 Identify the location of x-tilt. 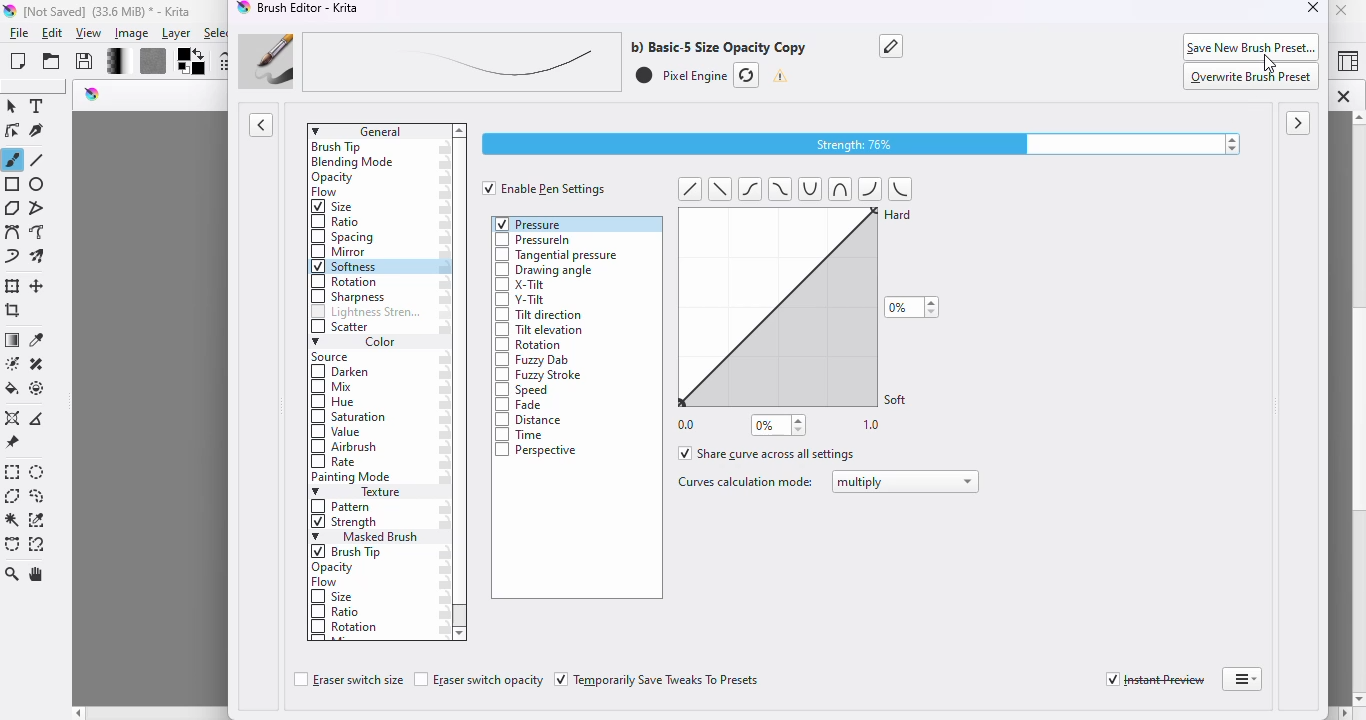
(521, 286).